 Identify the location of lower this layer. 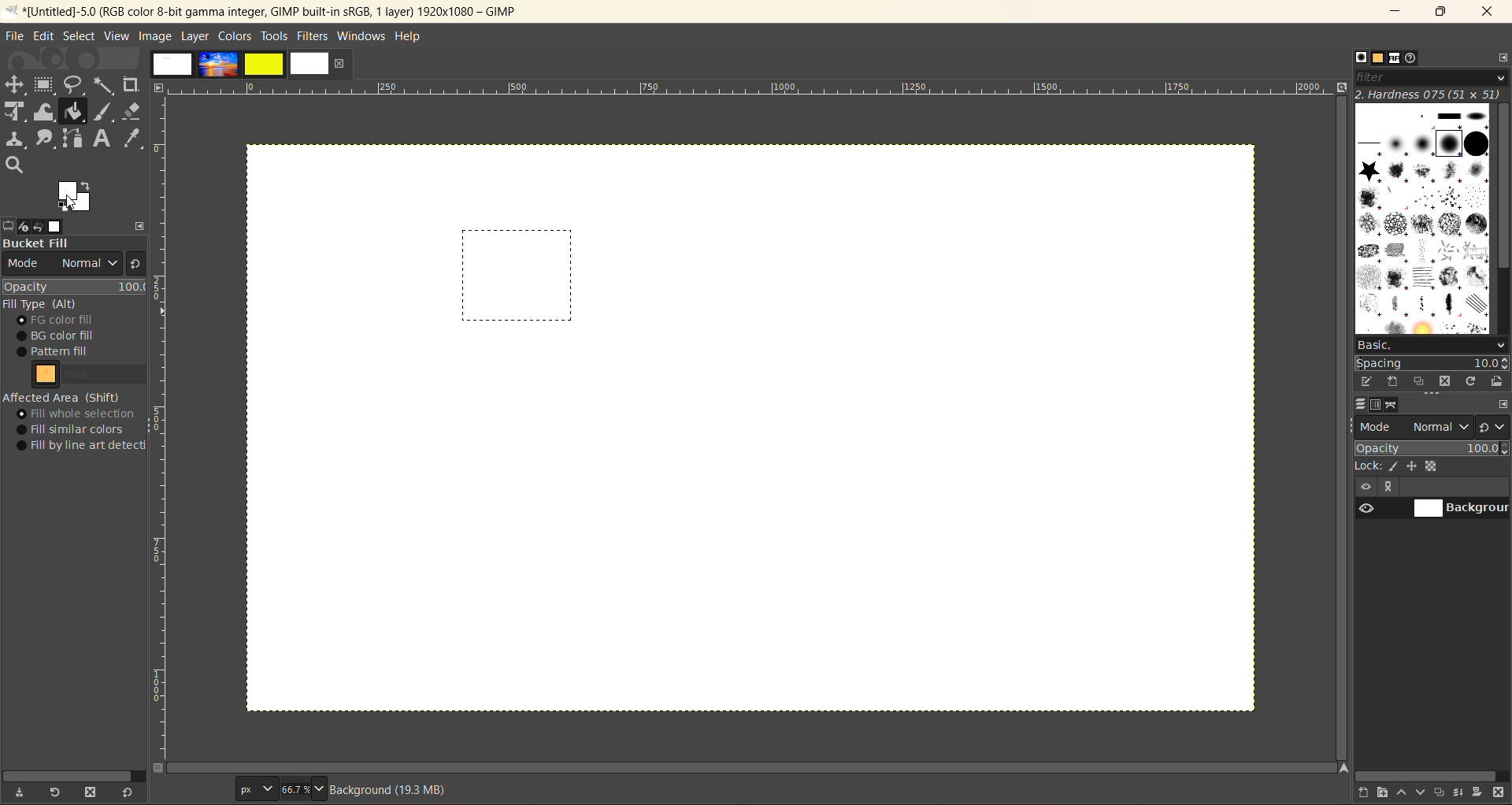
(1424, 793).